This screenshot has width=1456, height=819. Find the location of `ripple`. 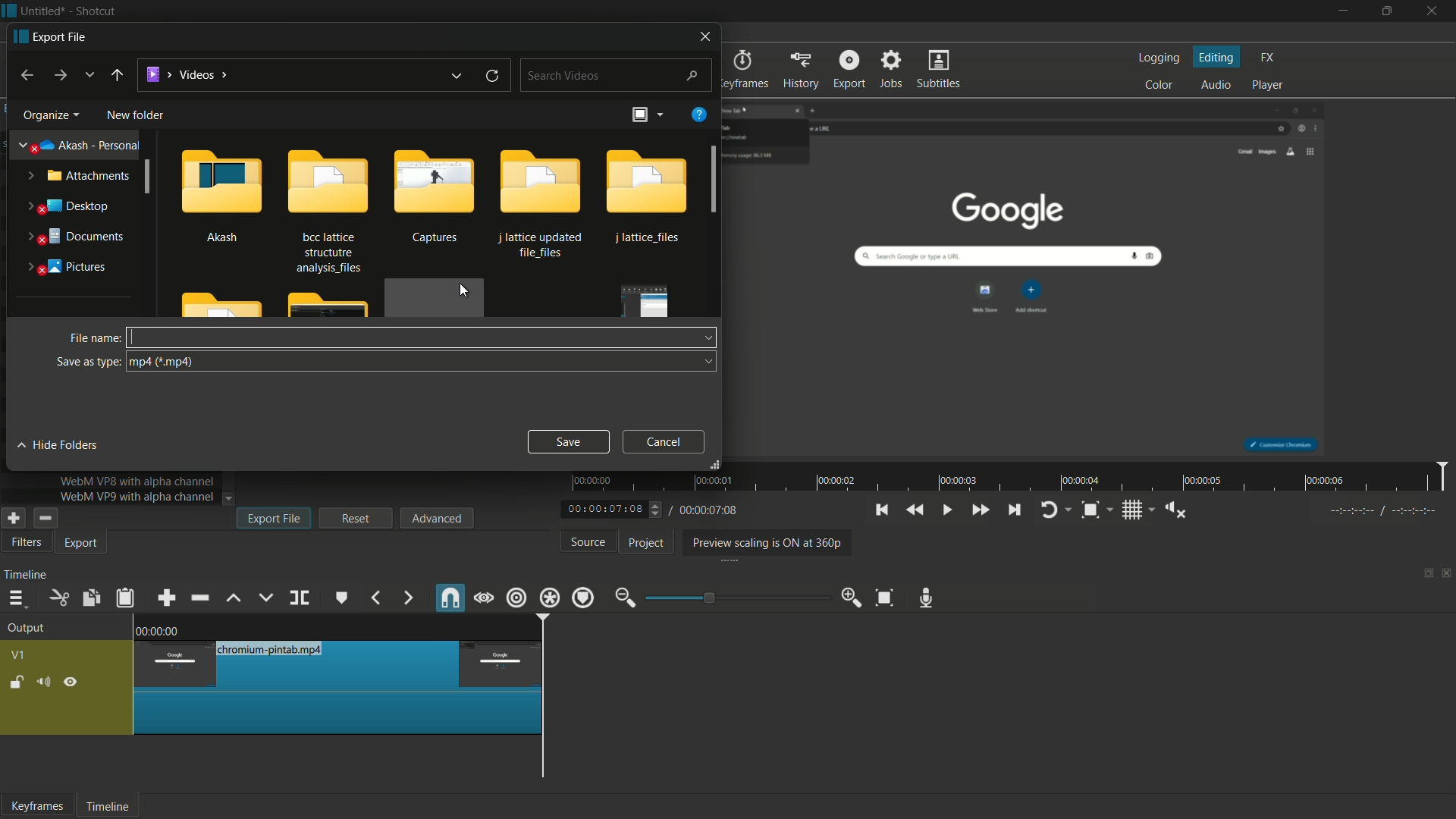

ripple is located at coordinates (516, 598).